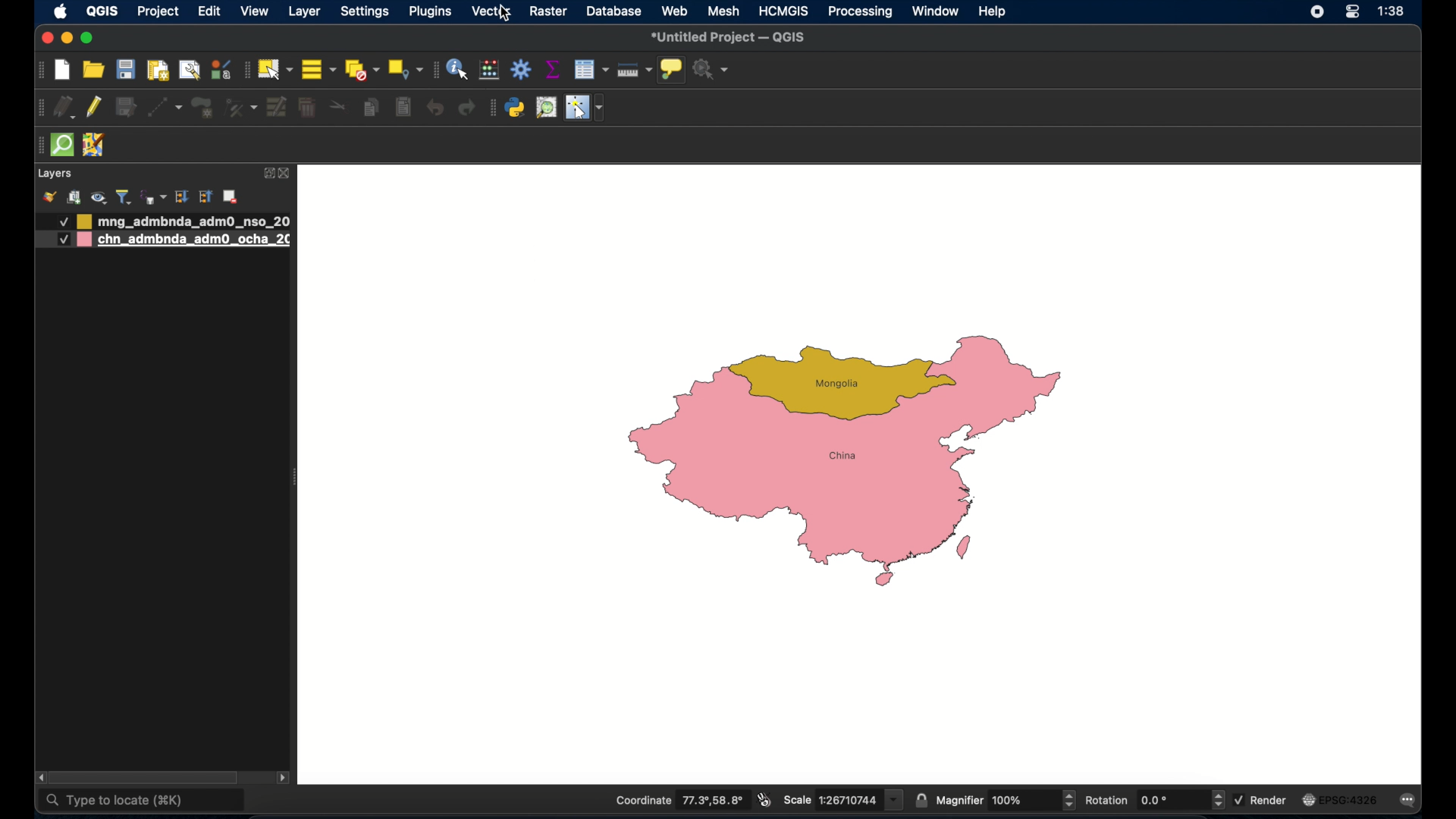 This screenshot has width=1456, height=819. I want to click on mesh, so click(723, 11).